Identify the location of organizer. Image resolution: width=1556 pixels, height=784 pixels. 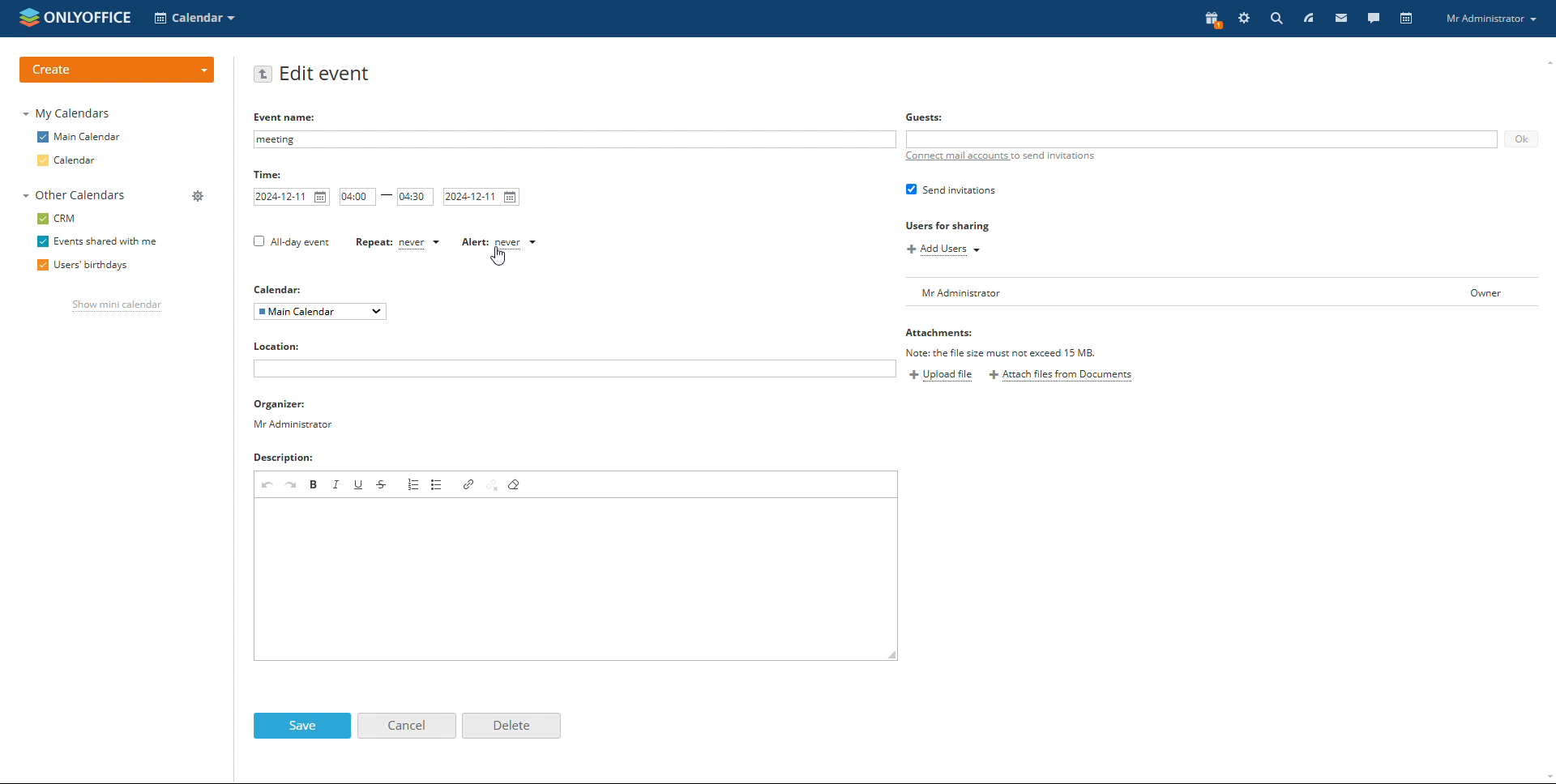
(294, 415).